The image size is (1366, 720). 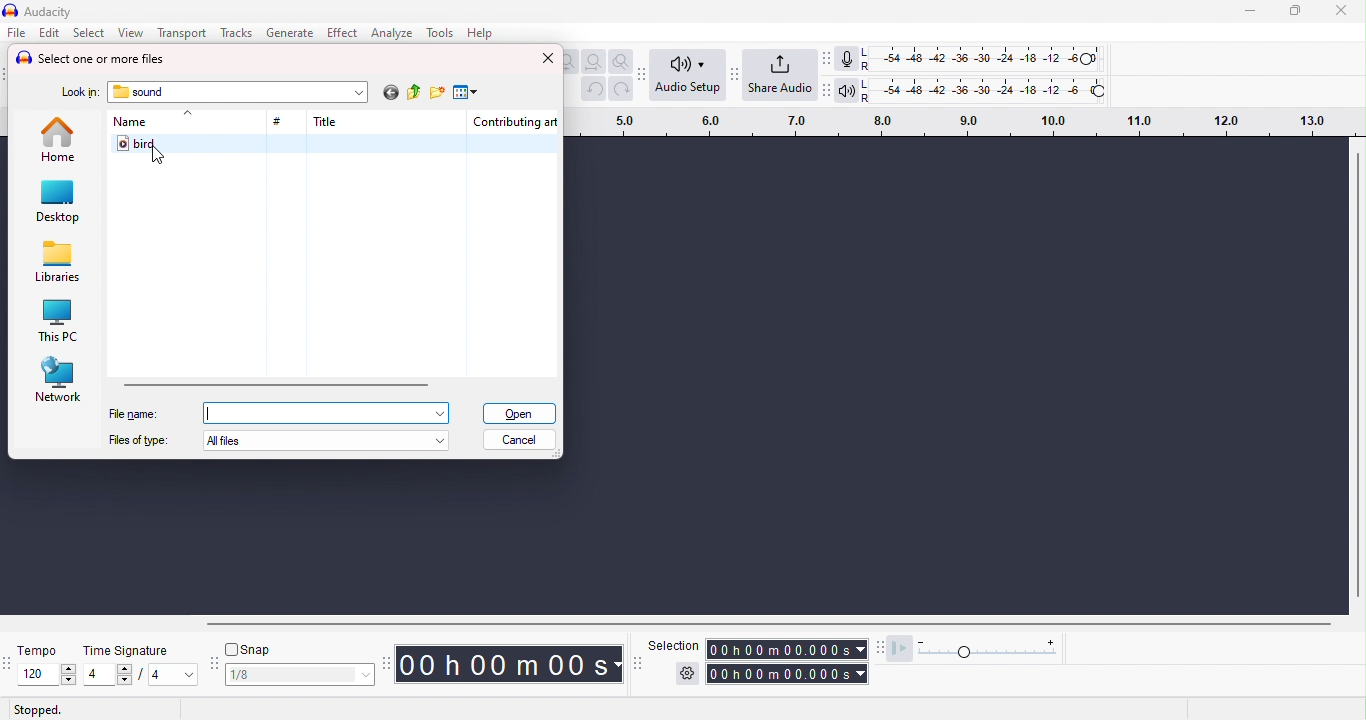 What do you see at coordinates (38, 710) in the screenshot?
I see `stopped` at bounding box center [38, 710].